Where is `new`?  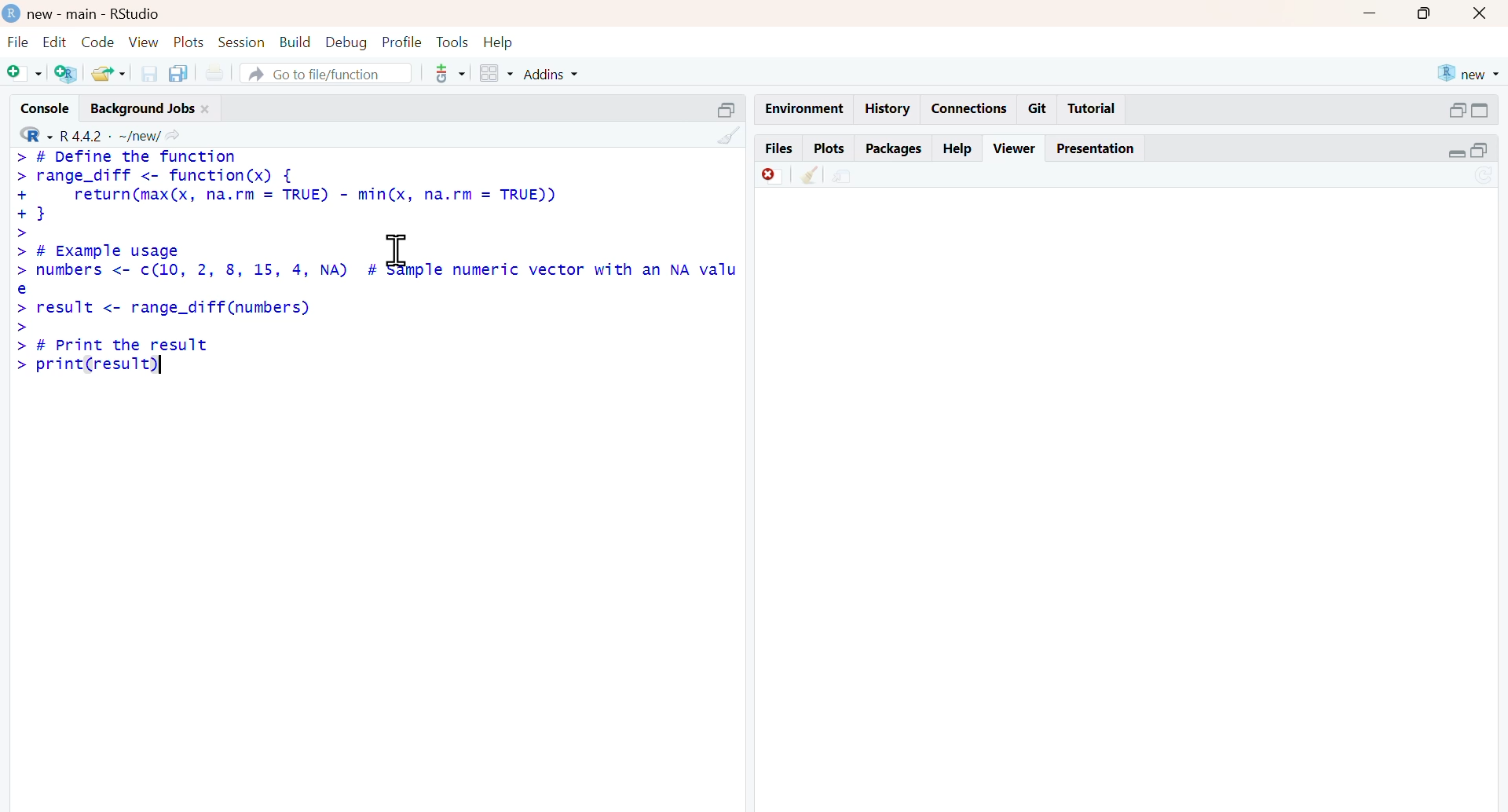
new is located at coordinates (1470, 74).